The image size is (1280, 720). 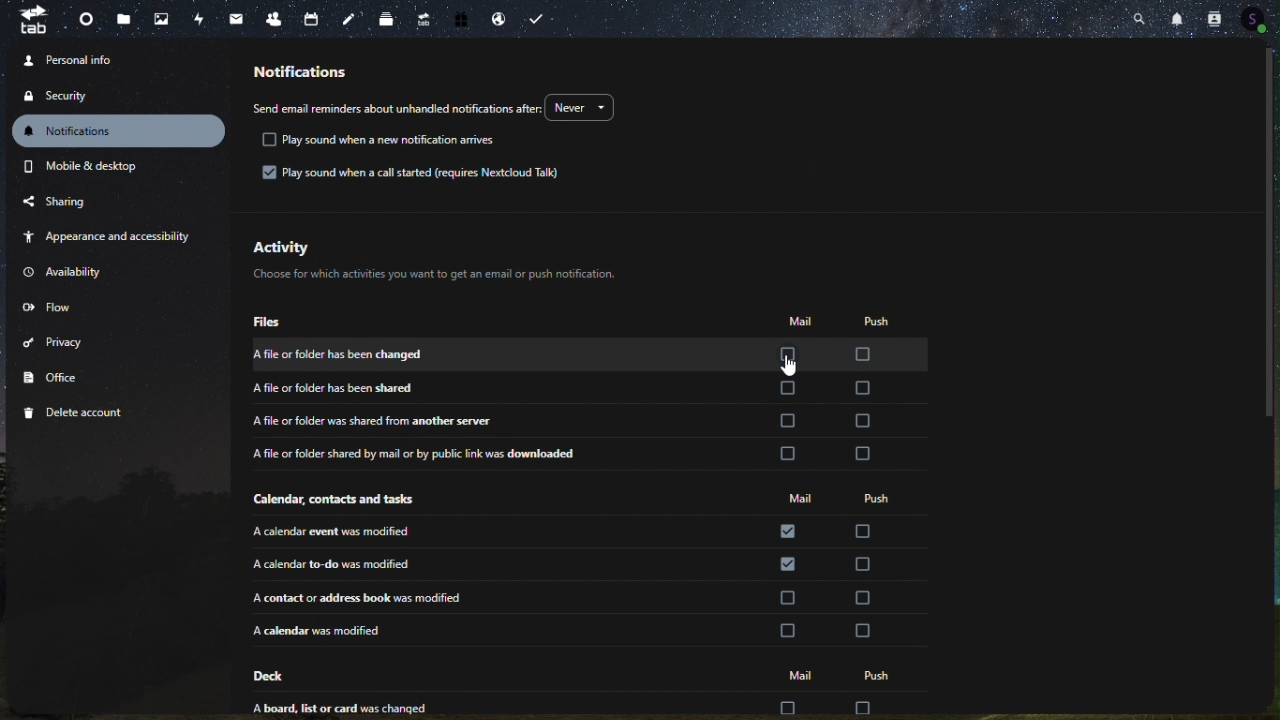 I want to click on scroll bar, so click(x=1266, y=235).